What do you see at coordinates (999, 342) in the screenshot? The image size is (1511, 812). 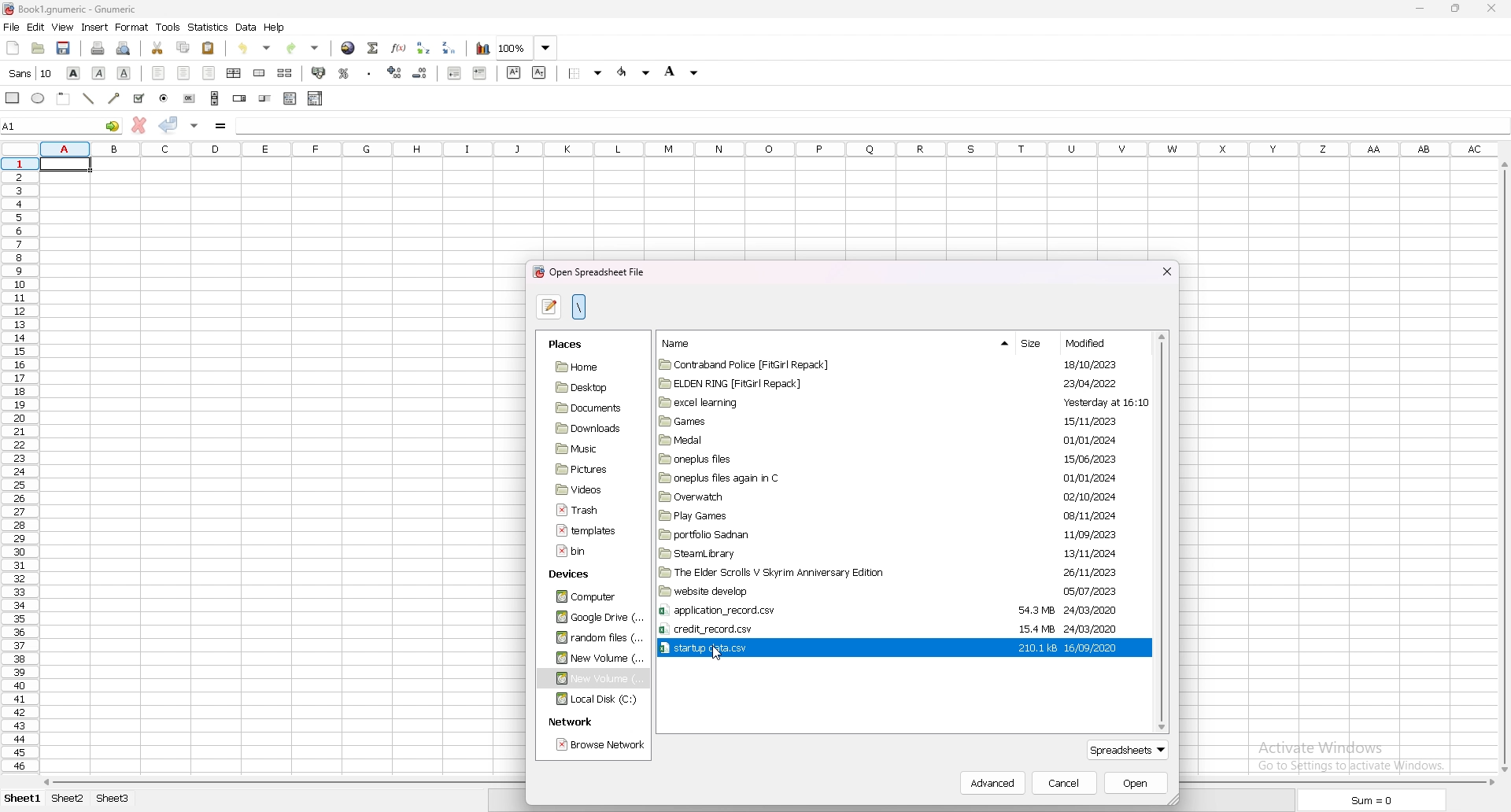 I see `show` at bounding box center [999, 342].